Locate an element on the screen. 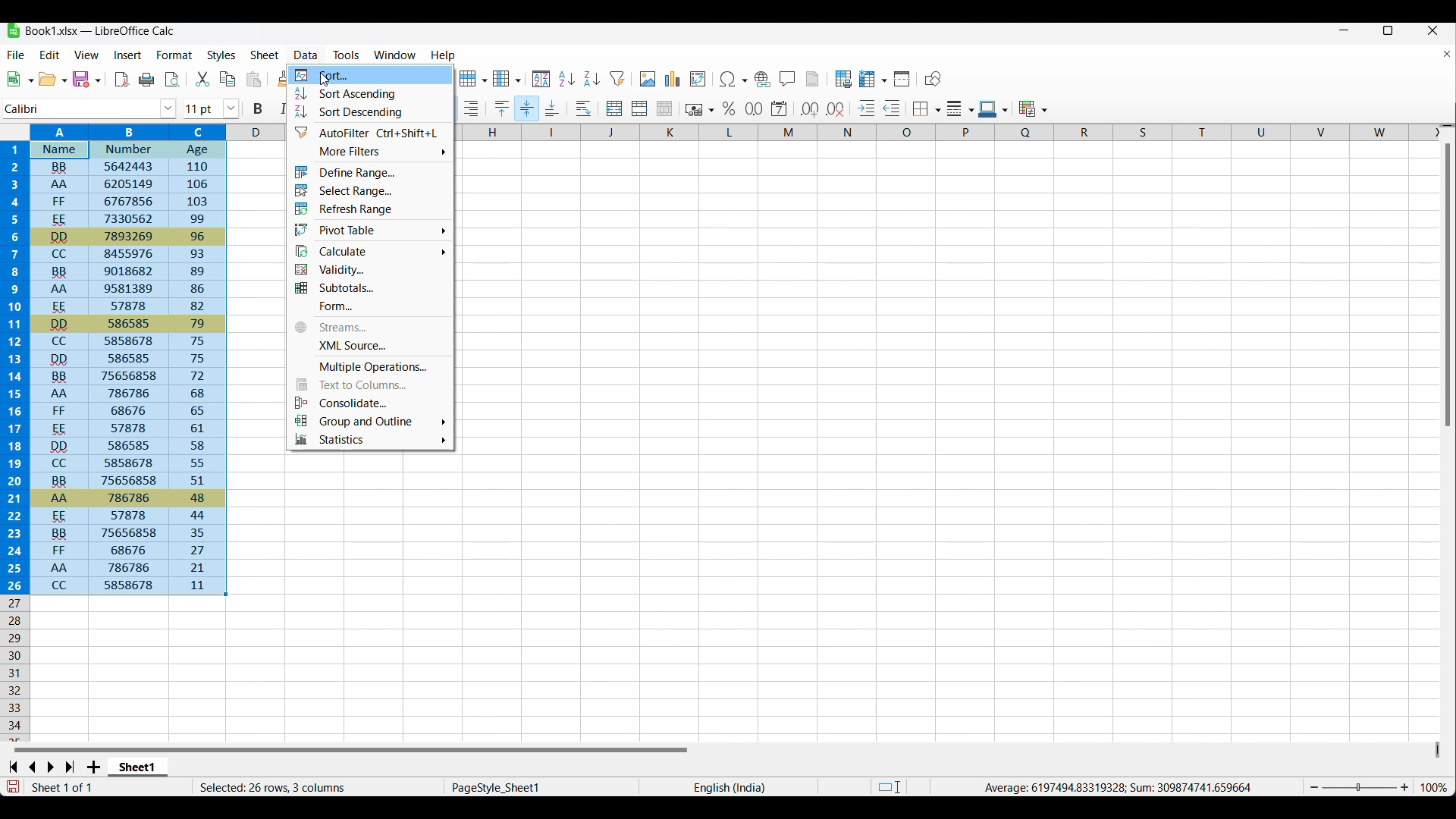 This screenshot has width=1456, height=819. Current selection highlighted is located at coordinates (115, 359).